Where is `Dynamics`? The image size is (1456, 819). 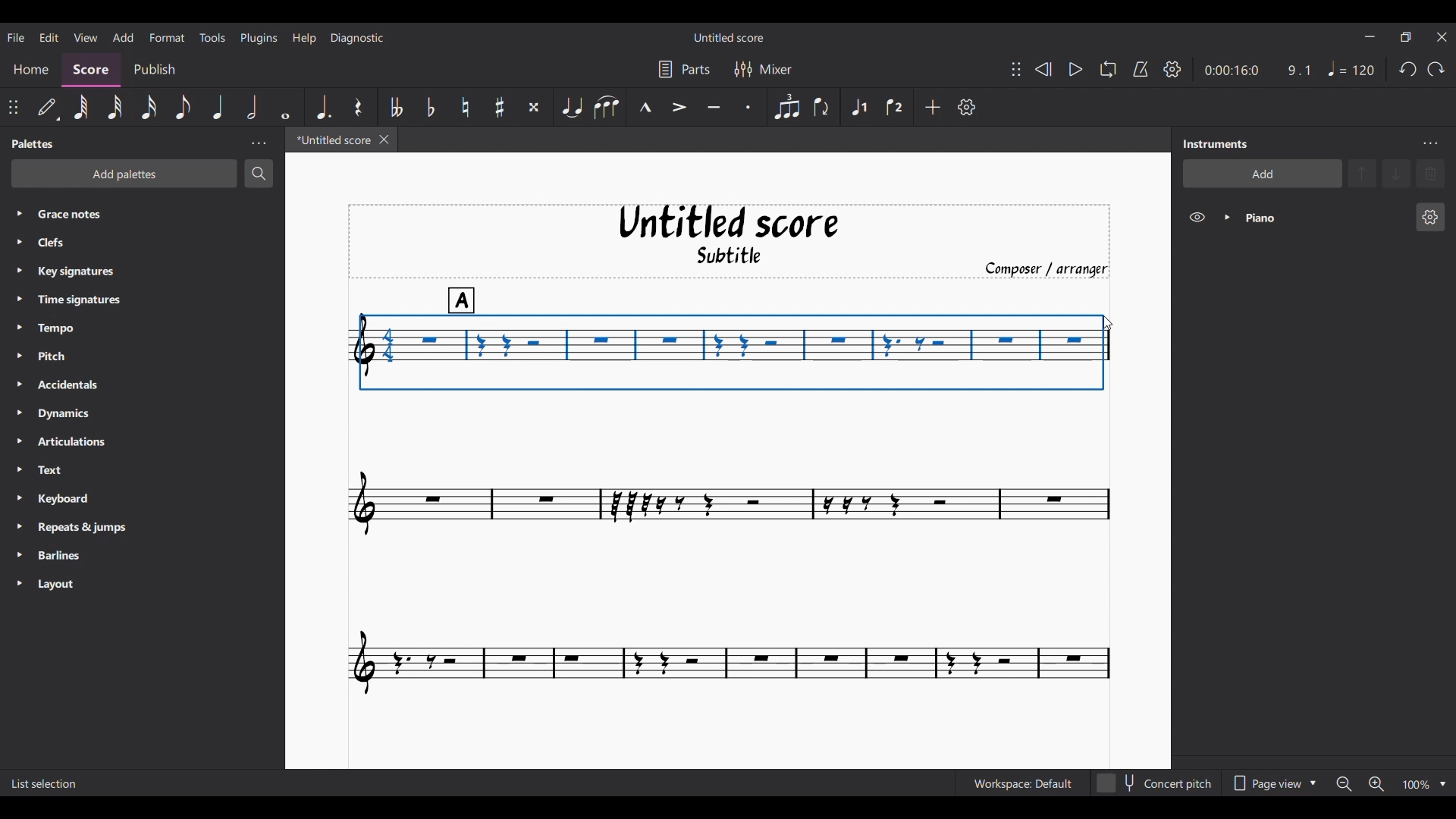 Dynamics is located at coordinates (90, 415).